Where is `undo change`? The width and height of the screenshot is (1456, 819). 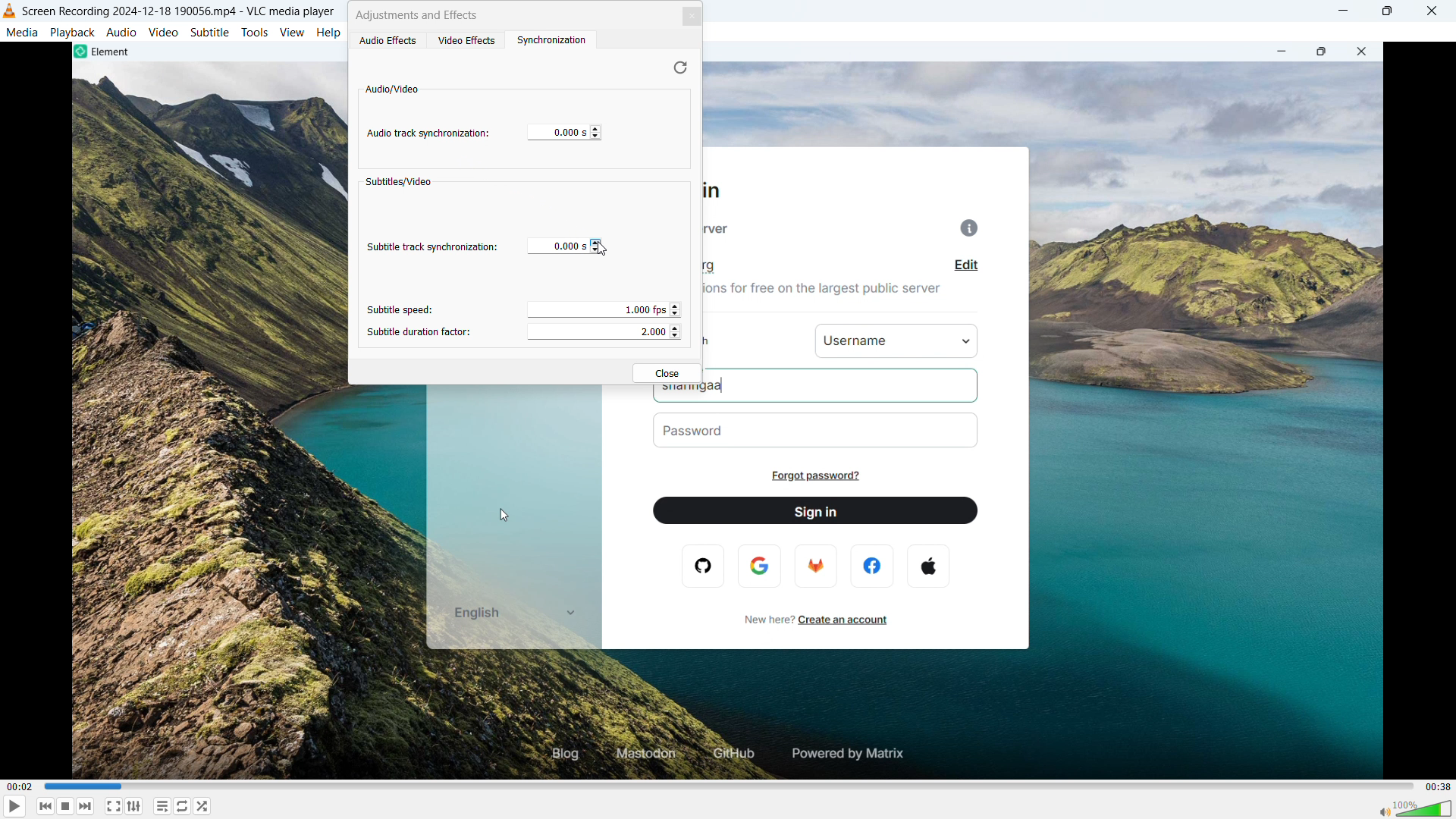 undo change is located at coordinates (679, 67).